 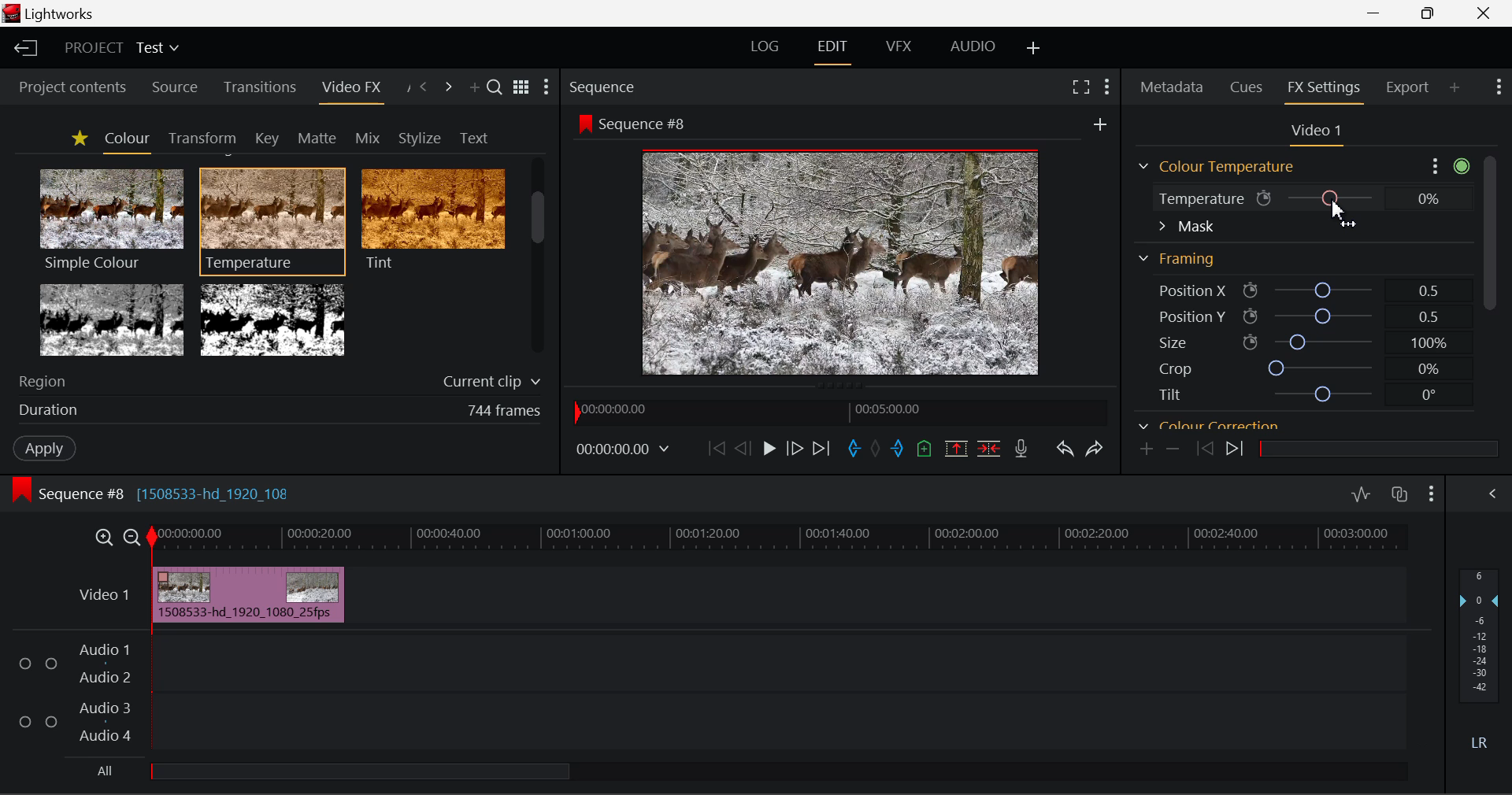 What do you see at coordinates (523, 88) in the screenshot?
I see `Toggle between title and list view` at bounding box center [523, 88].